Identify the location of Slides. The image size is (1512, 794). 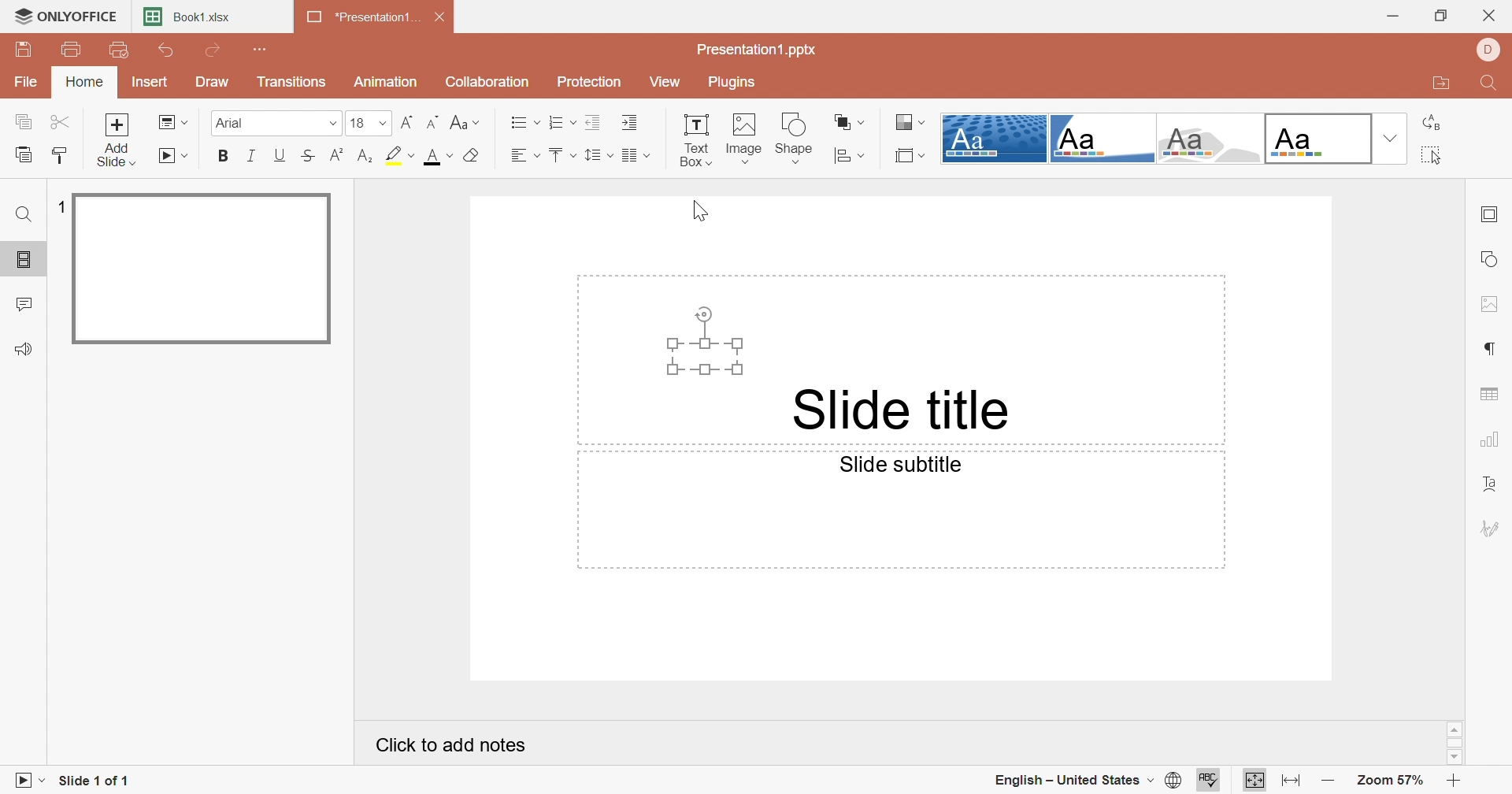
(24, 261).